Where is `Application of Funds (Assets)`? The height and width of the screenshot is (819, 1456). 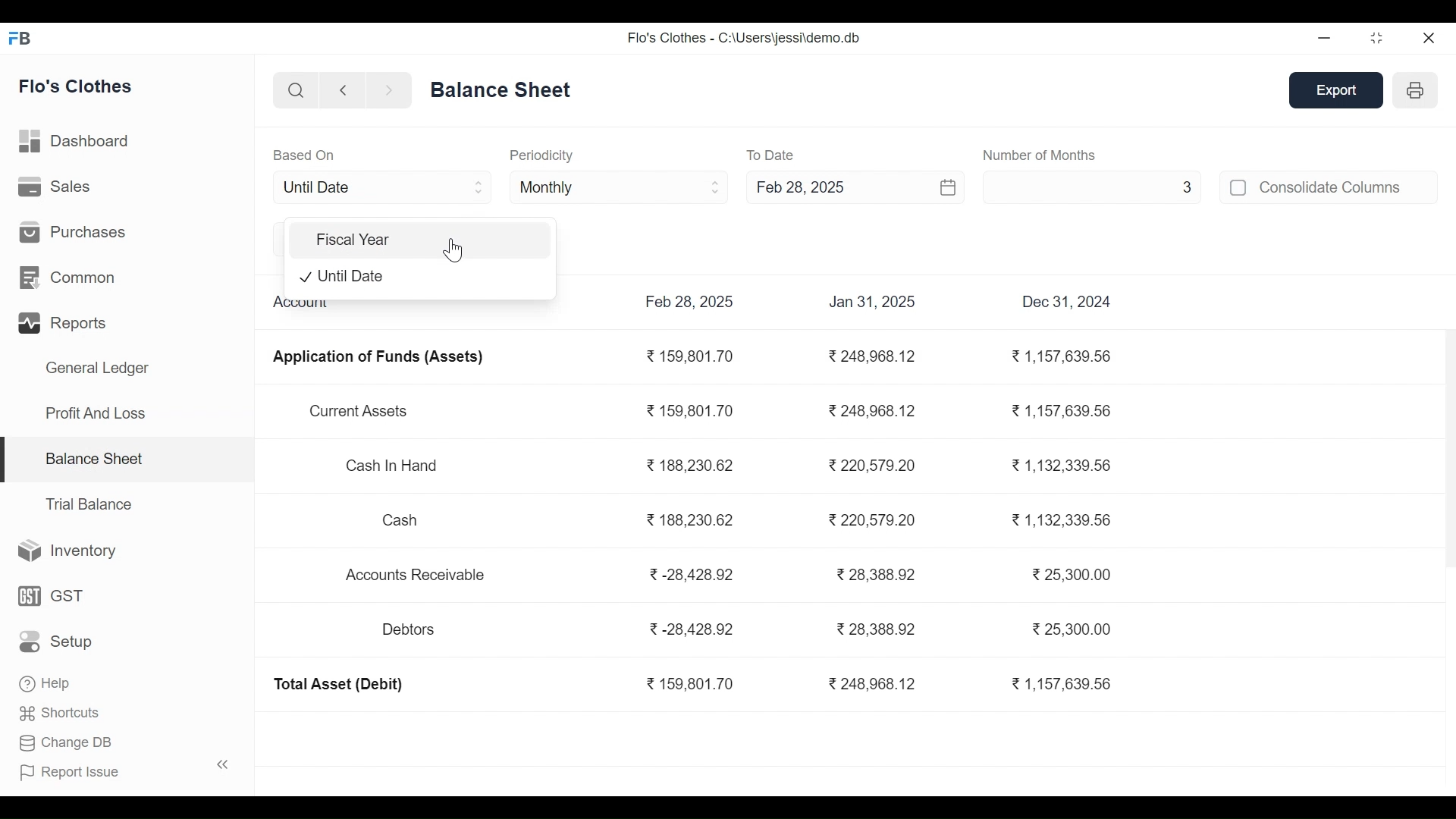
Application of Funds (Assets) is located at coordinates (377, 357).